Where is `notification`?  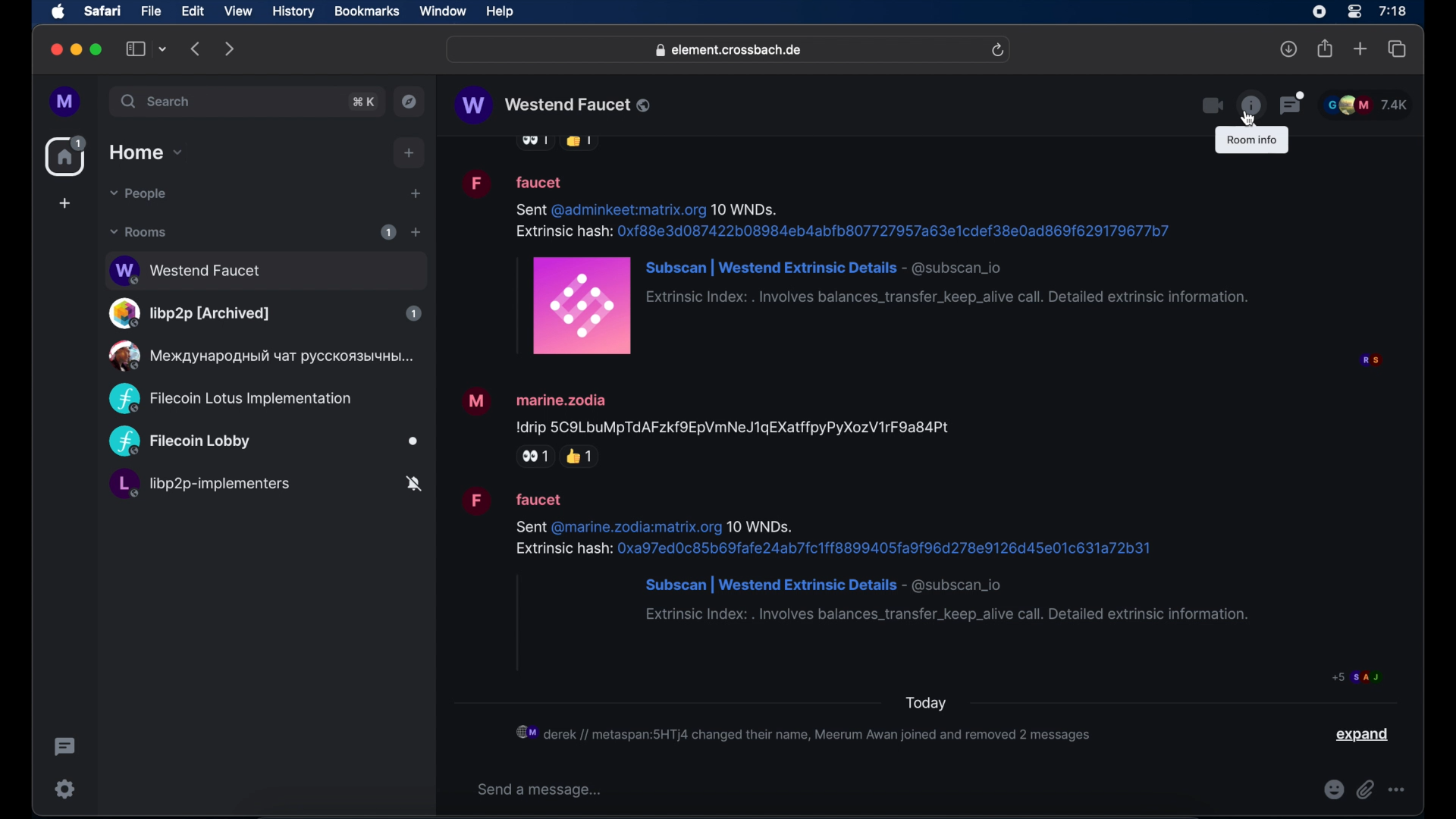 notification is located at coordinates (805, 733).